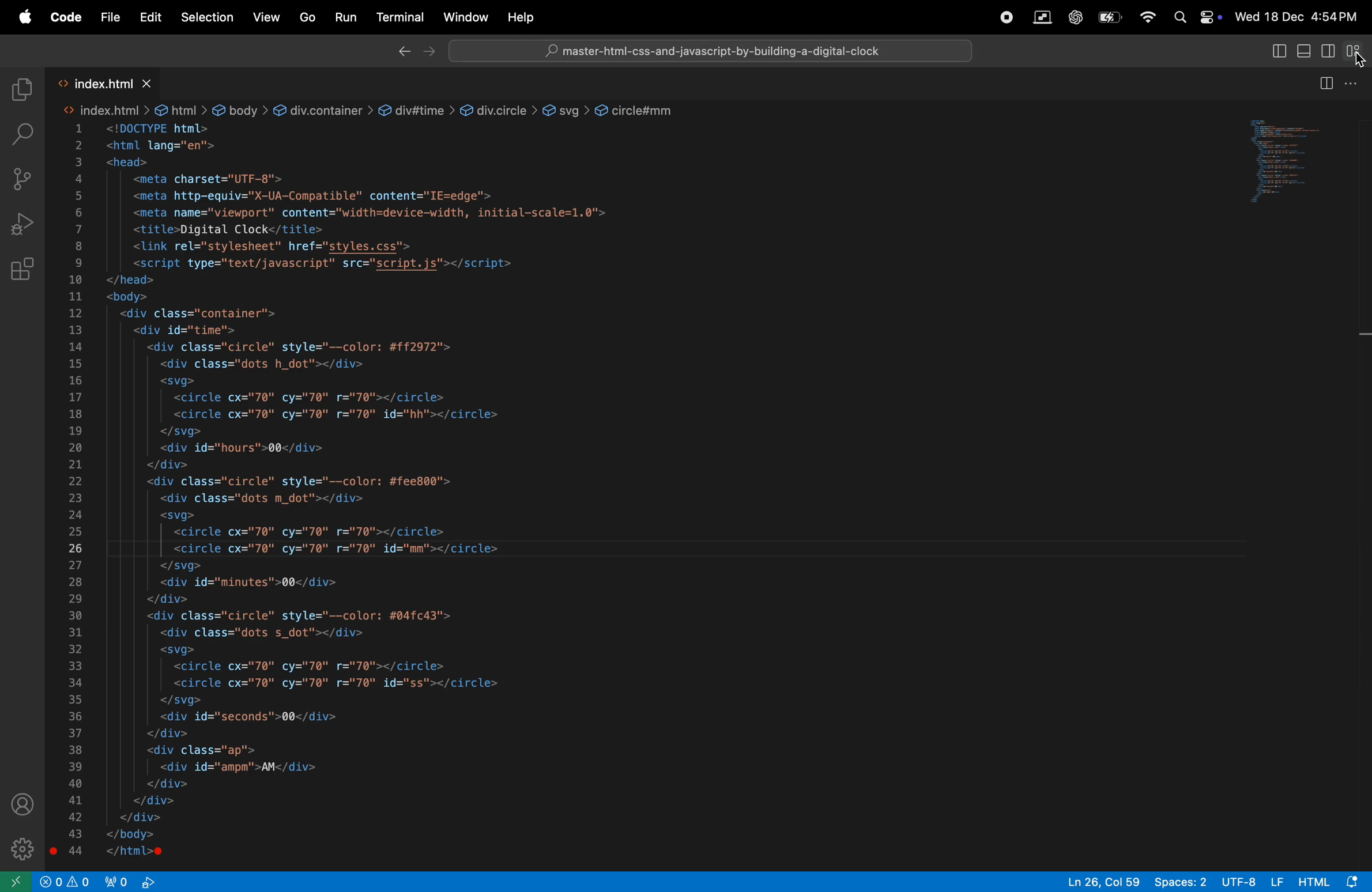 This screenshot has height=892, width=1372. I want to click on search, so click(24, 133).